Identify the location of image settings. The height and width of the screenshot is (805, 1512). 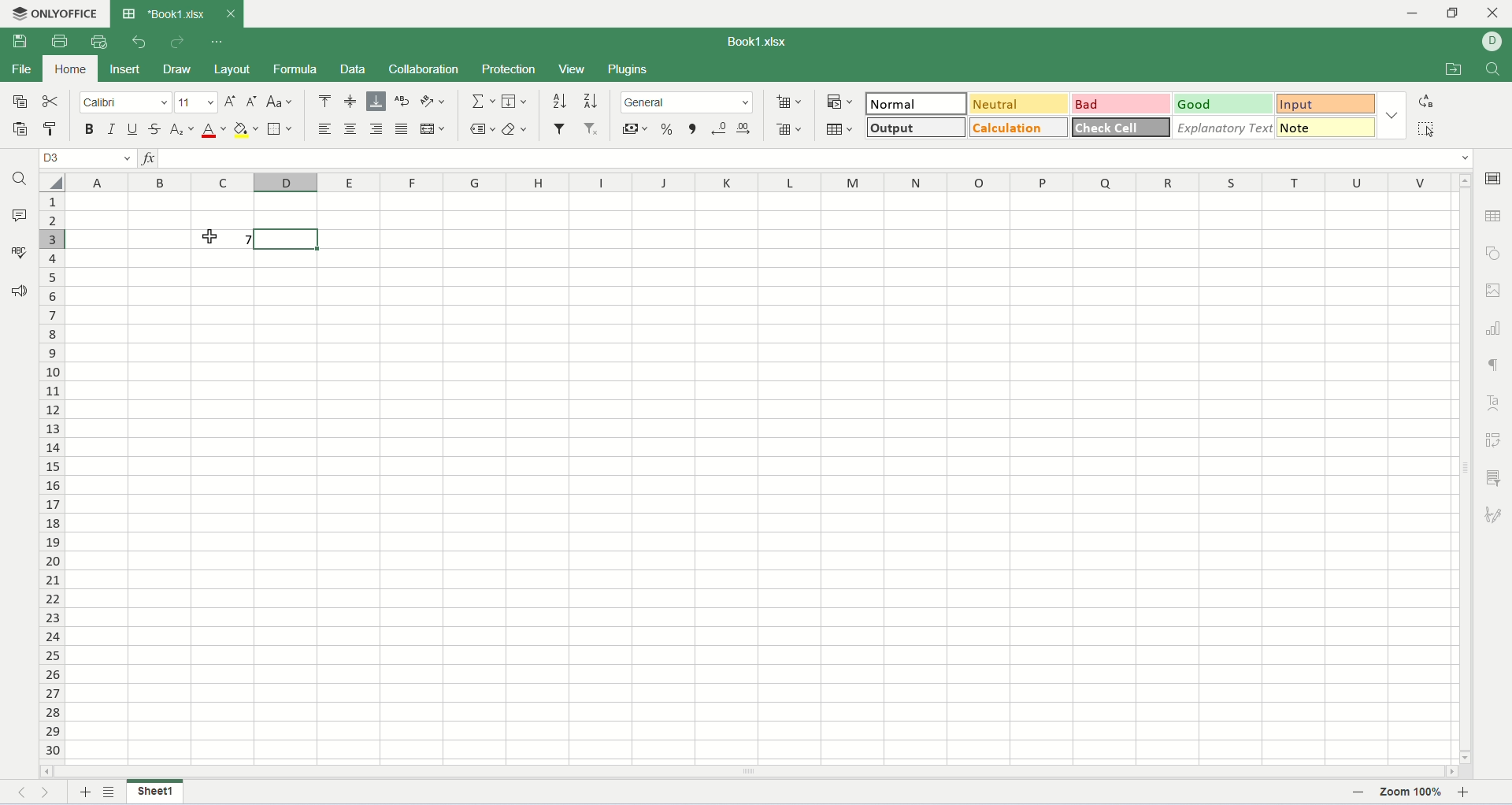
(1496, 293).